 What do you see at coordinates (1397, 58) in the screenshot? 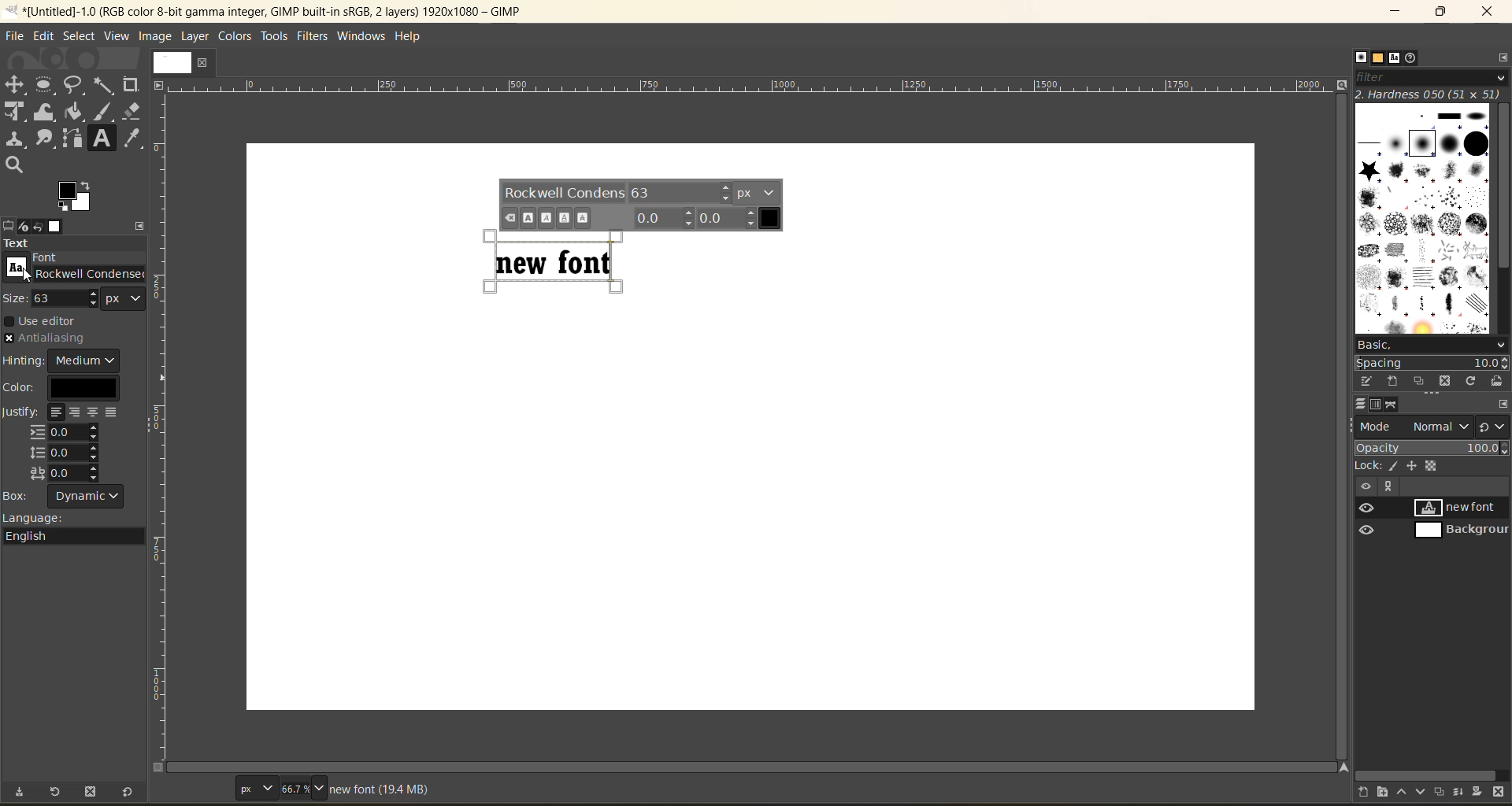
I see `fonts` at bounding box center [1397, 58].